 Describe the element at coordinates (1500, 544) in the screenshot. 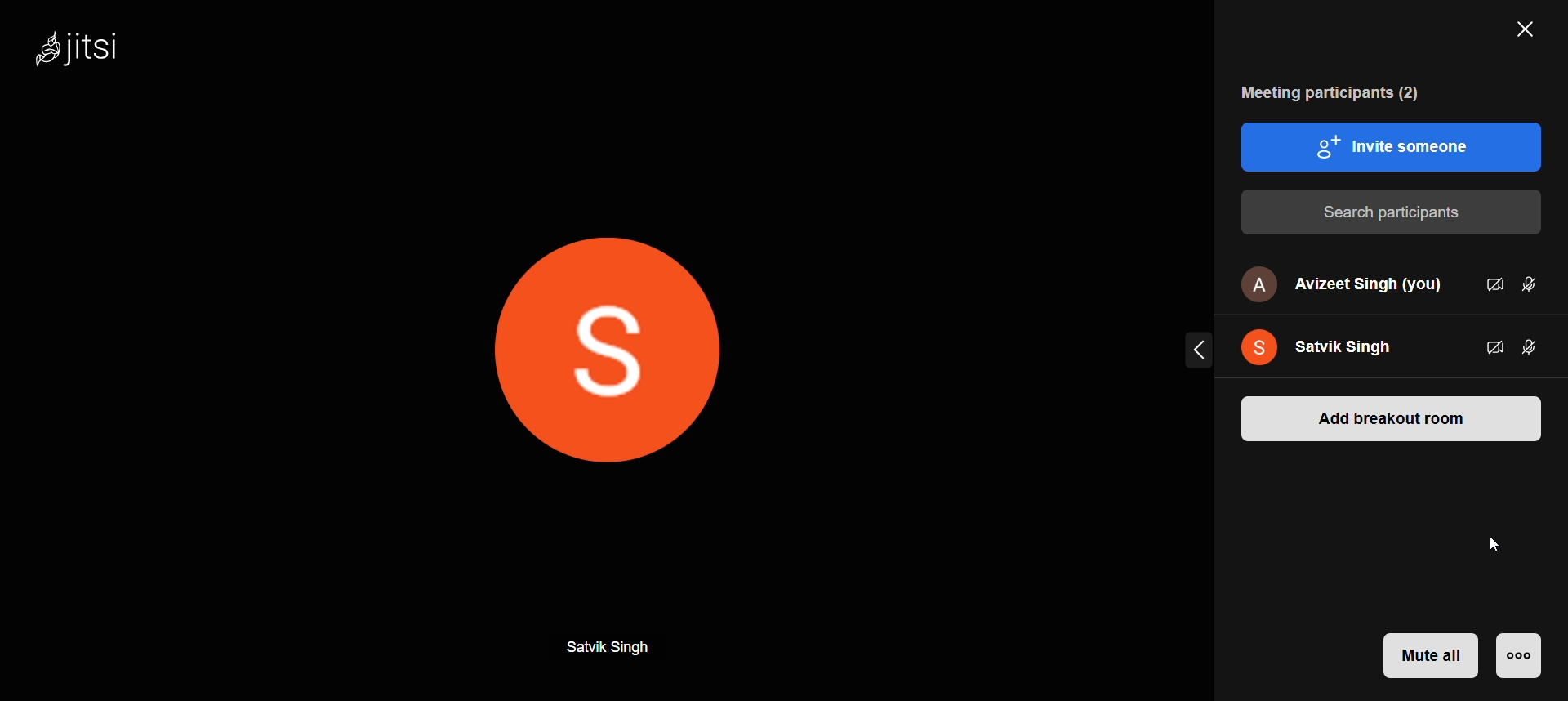

I see `cursor` at that location.